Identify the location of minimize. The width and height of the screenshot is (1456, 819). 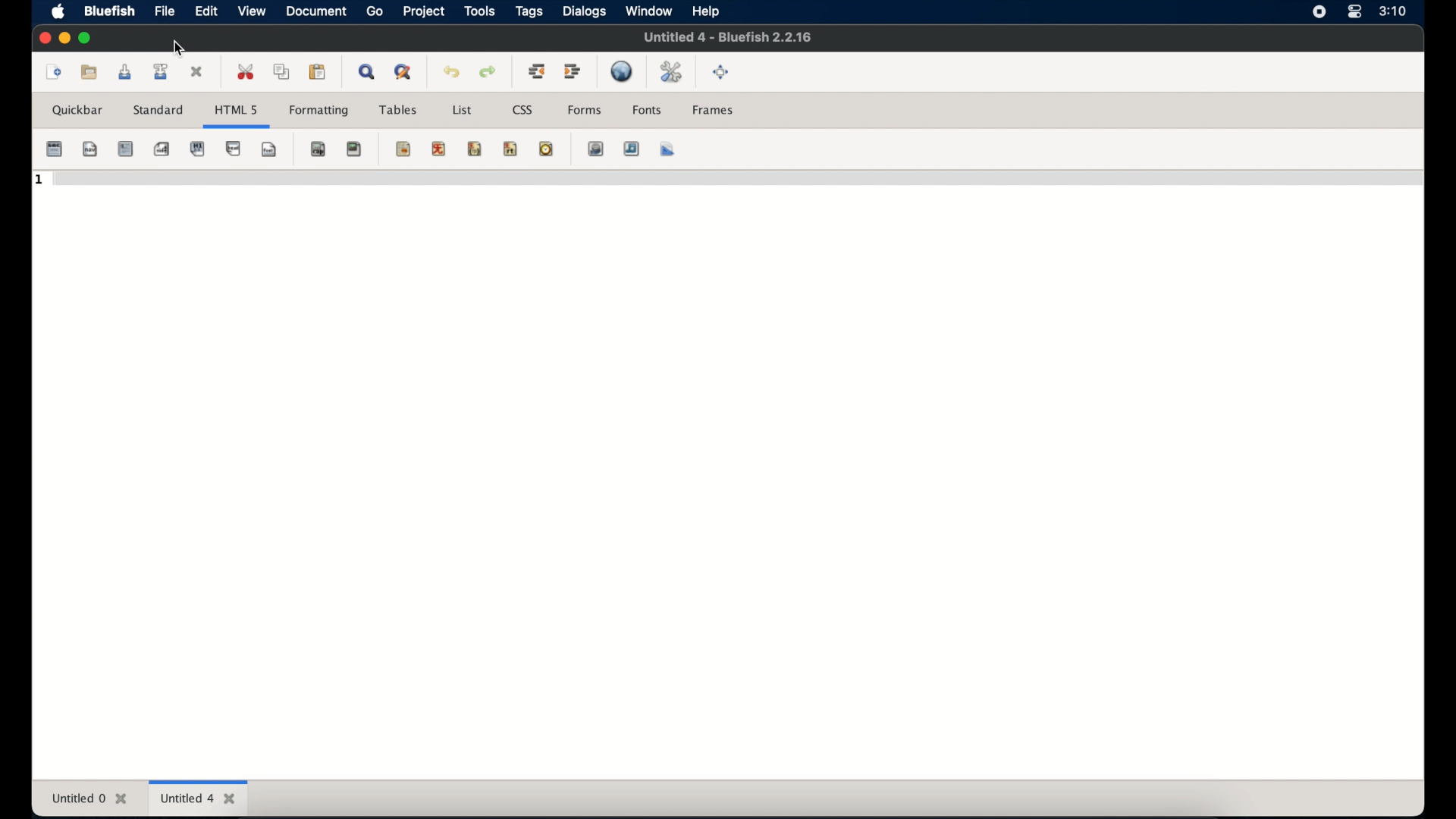
(64, 39).